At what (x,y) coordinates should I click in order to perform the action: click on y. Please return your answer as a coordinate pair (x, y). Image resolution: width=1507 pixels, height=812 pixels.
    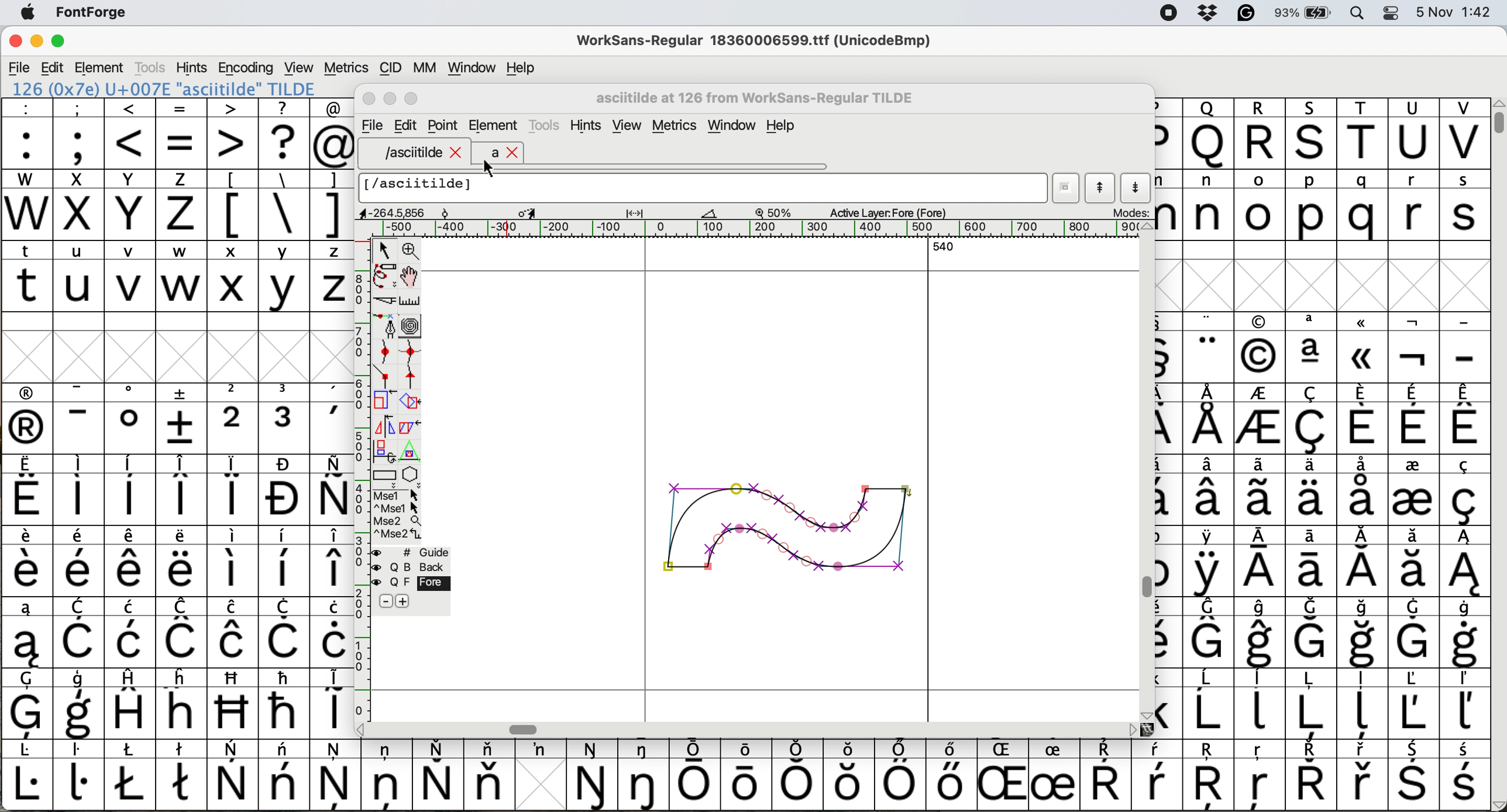
    Looking at the image, I should click on (282, 277).